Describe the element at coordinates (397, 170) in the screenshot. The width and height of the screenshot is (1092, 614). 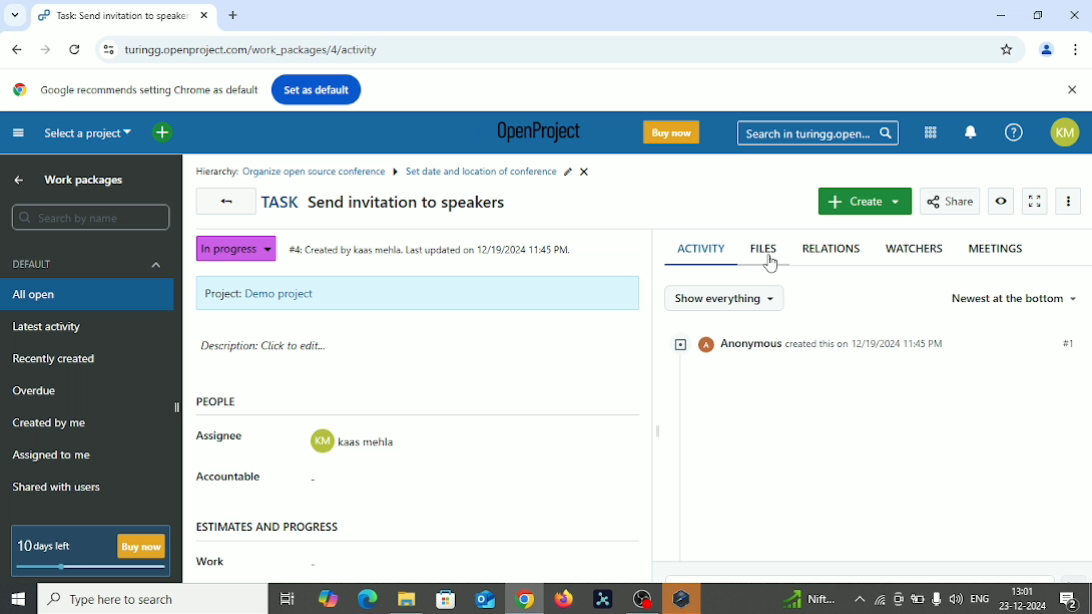
I see `ll Hierarchy: Organize open source conference B Set date and location of conference # X` at that location.